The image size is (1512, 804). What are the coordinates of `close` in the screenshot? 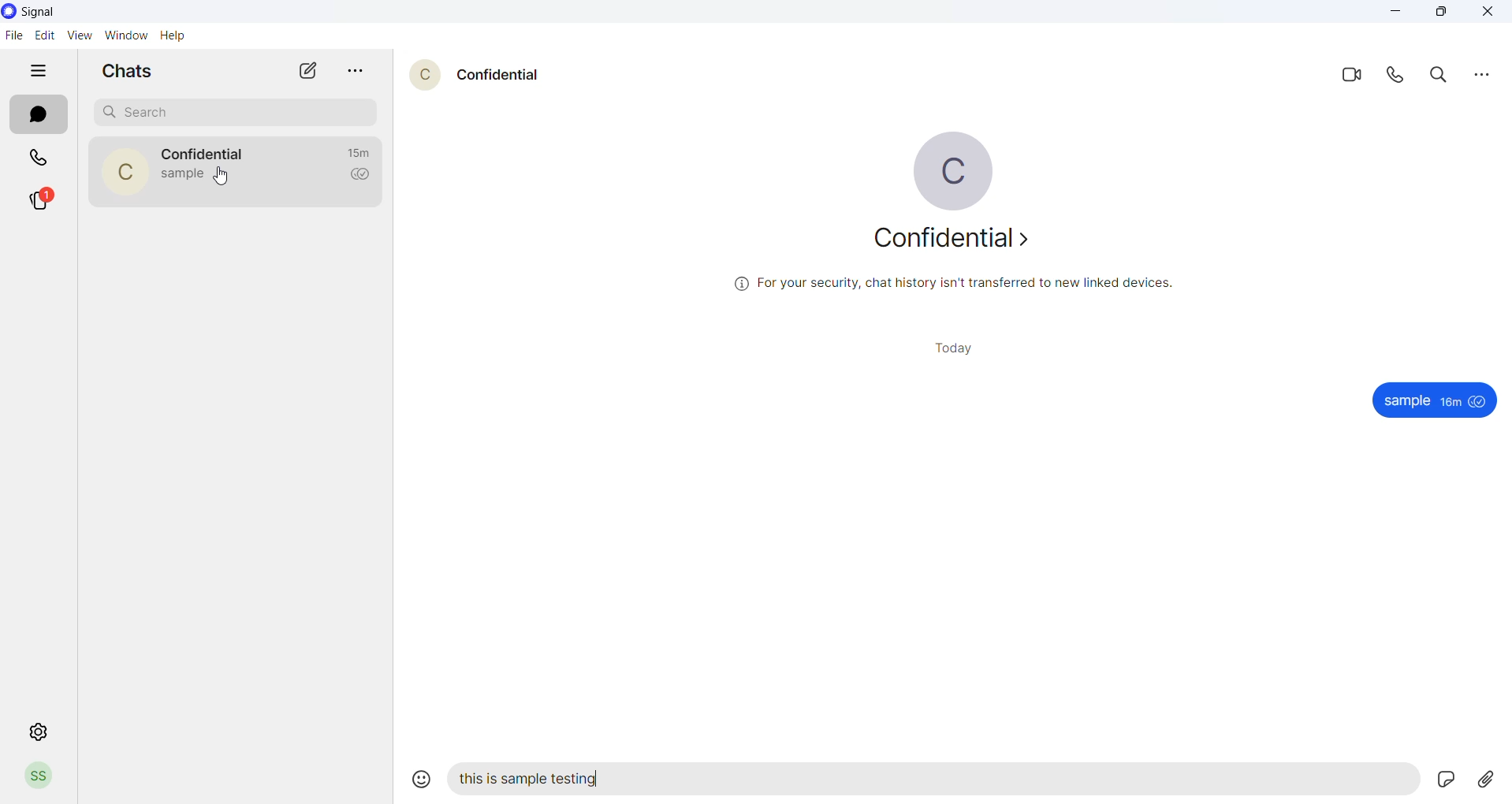 It's located at (1492, 14).